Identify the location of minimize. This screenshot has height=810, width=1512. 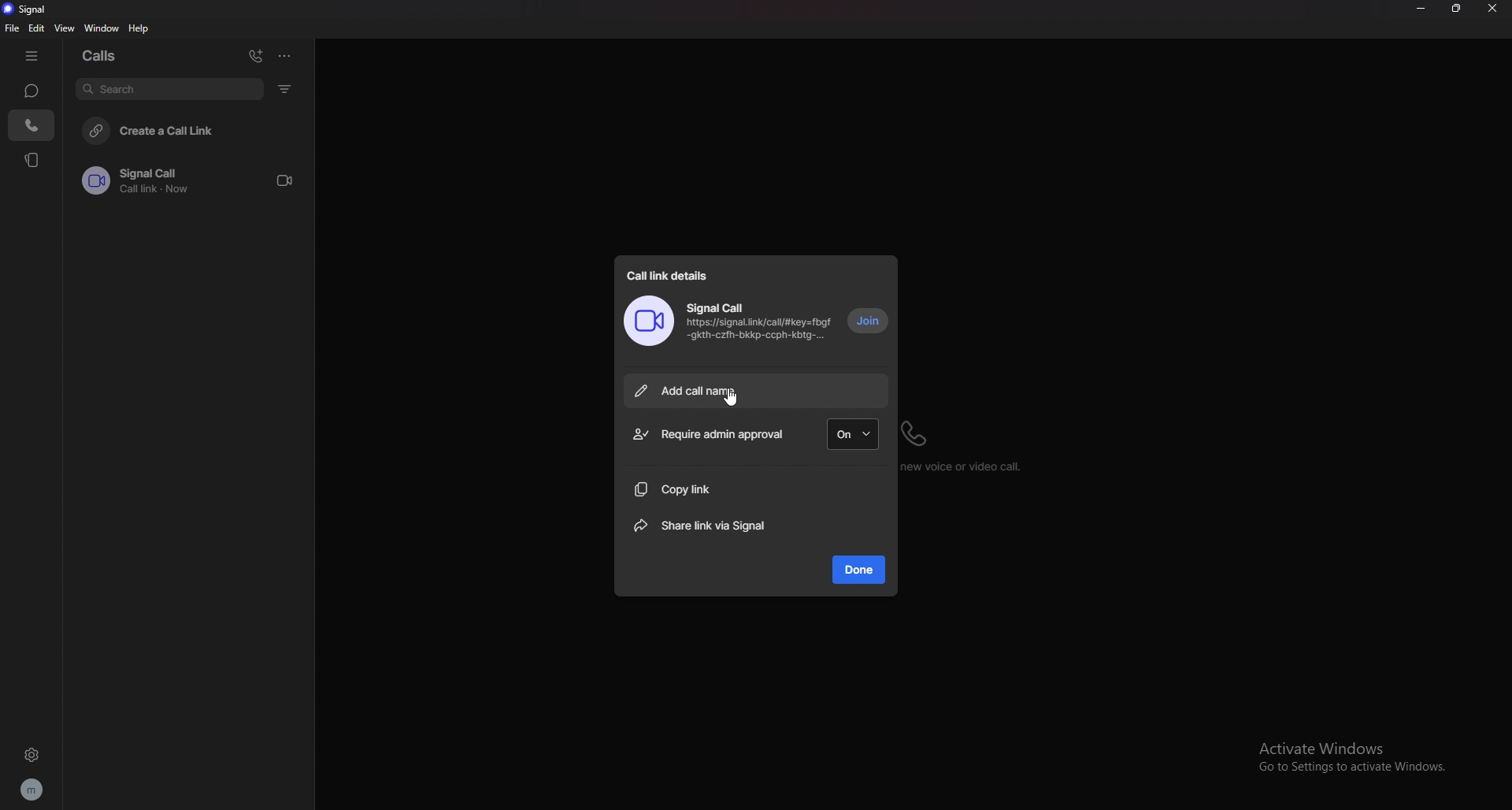
(1420, 9).